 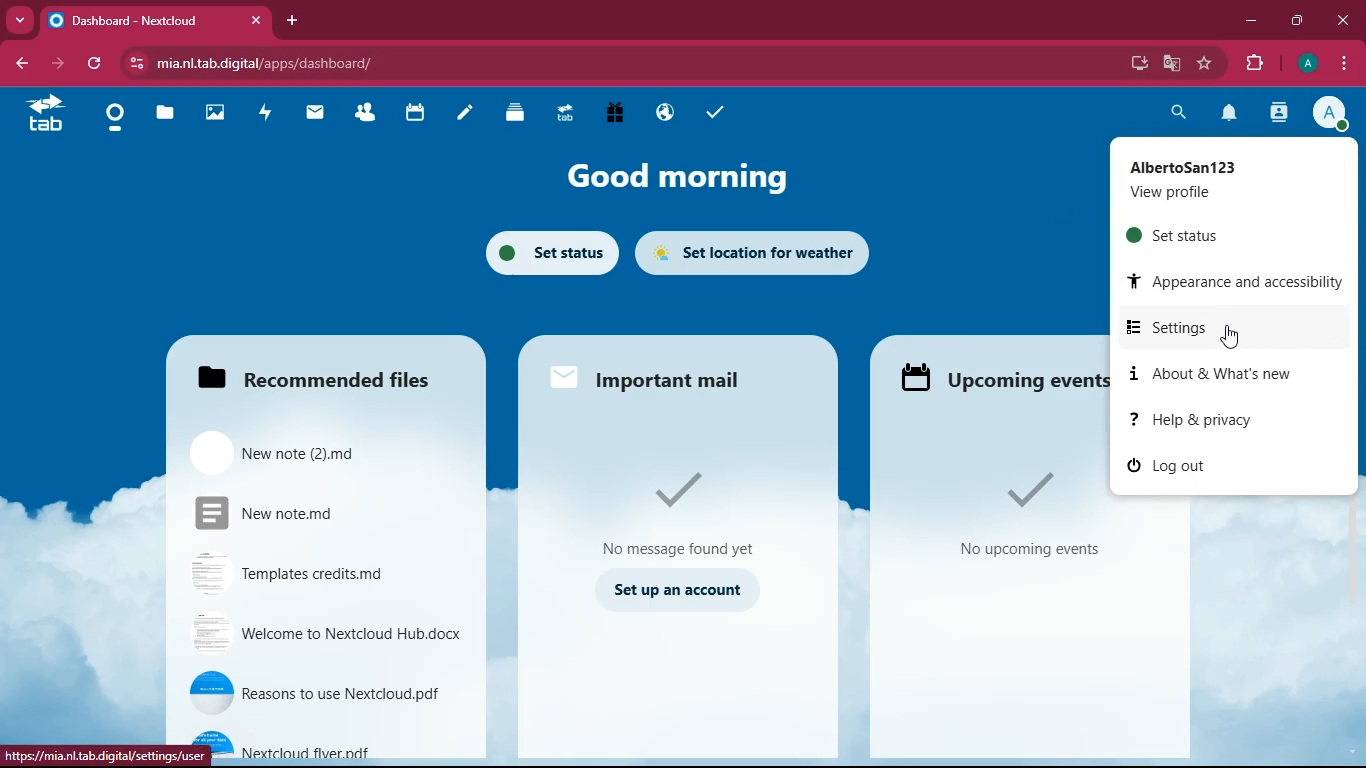 I want to click on set status, so click(x=552, y=252).